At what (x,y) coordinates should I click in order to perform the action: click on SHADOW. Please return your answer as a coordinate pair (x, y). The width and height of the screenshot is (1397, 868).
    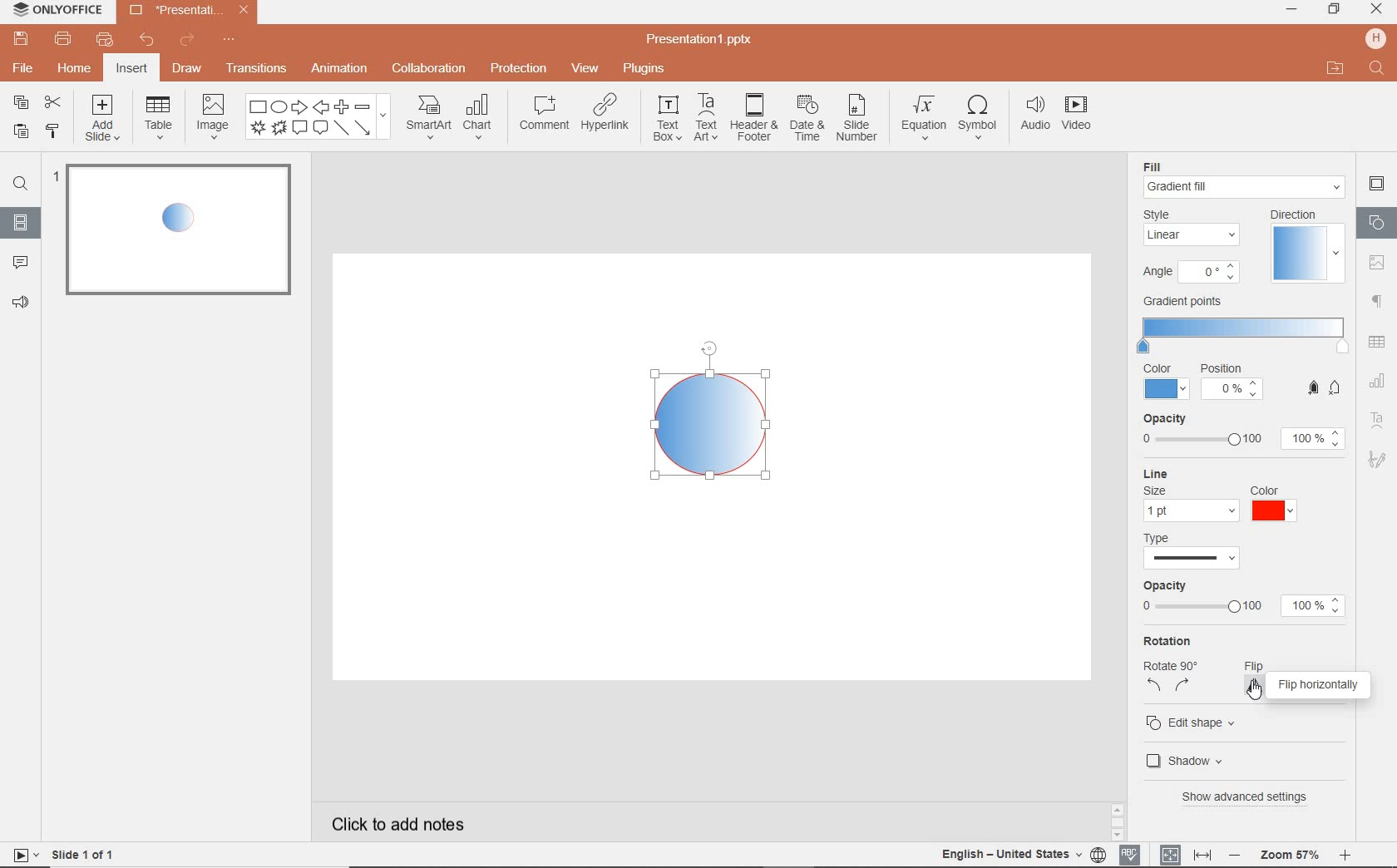
    Looking at the image, I should click on (1188, 760).